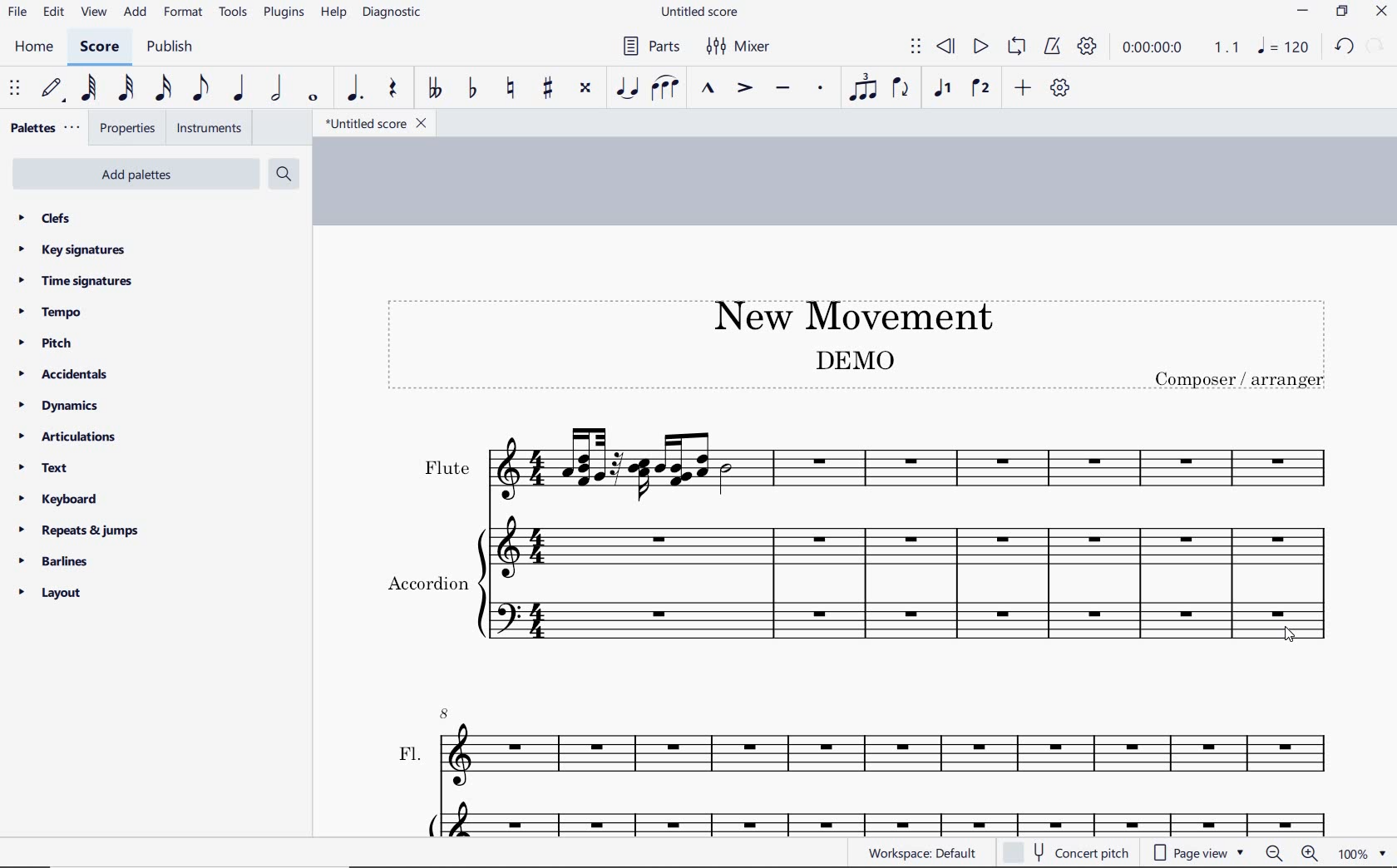 The height and width of the screenshot is (868, 1397). What do you see at coordinates (45, 470) in the screenshot?
I see `text` at bounding box center [45, 470].